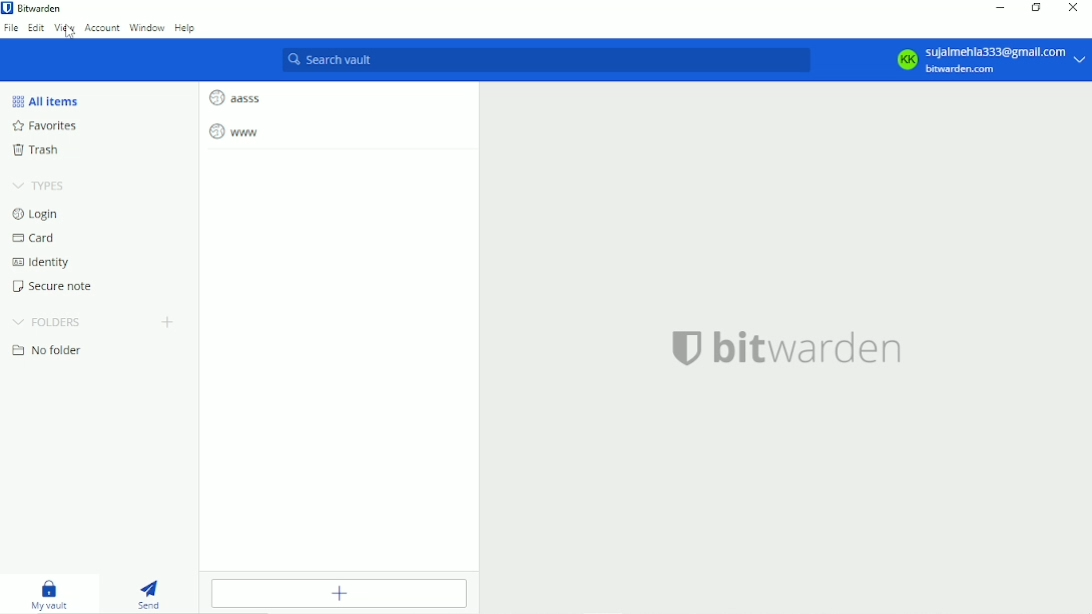 This screenshot has width=1092, height=614. Describe the element at coordinates (48, 99) in the screenshot. I see `All items` at that location.